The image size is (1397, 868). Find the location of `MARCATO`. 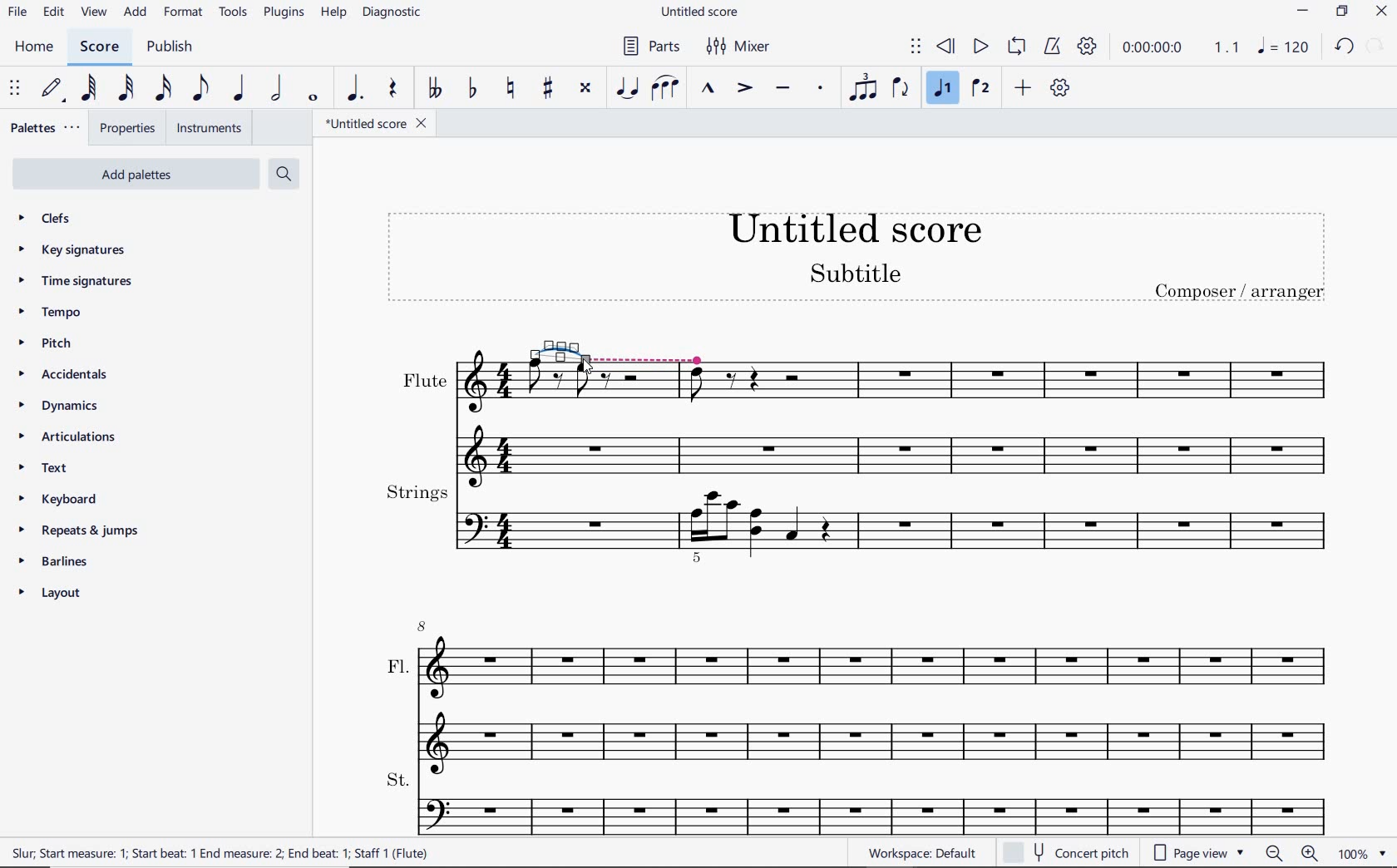

MARCATO is located at coordinates (709, 89).